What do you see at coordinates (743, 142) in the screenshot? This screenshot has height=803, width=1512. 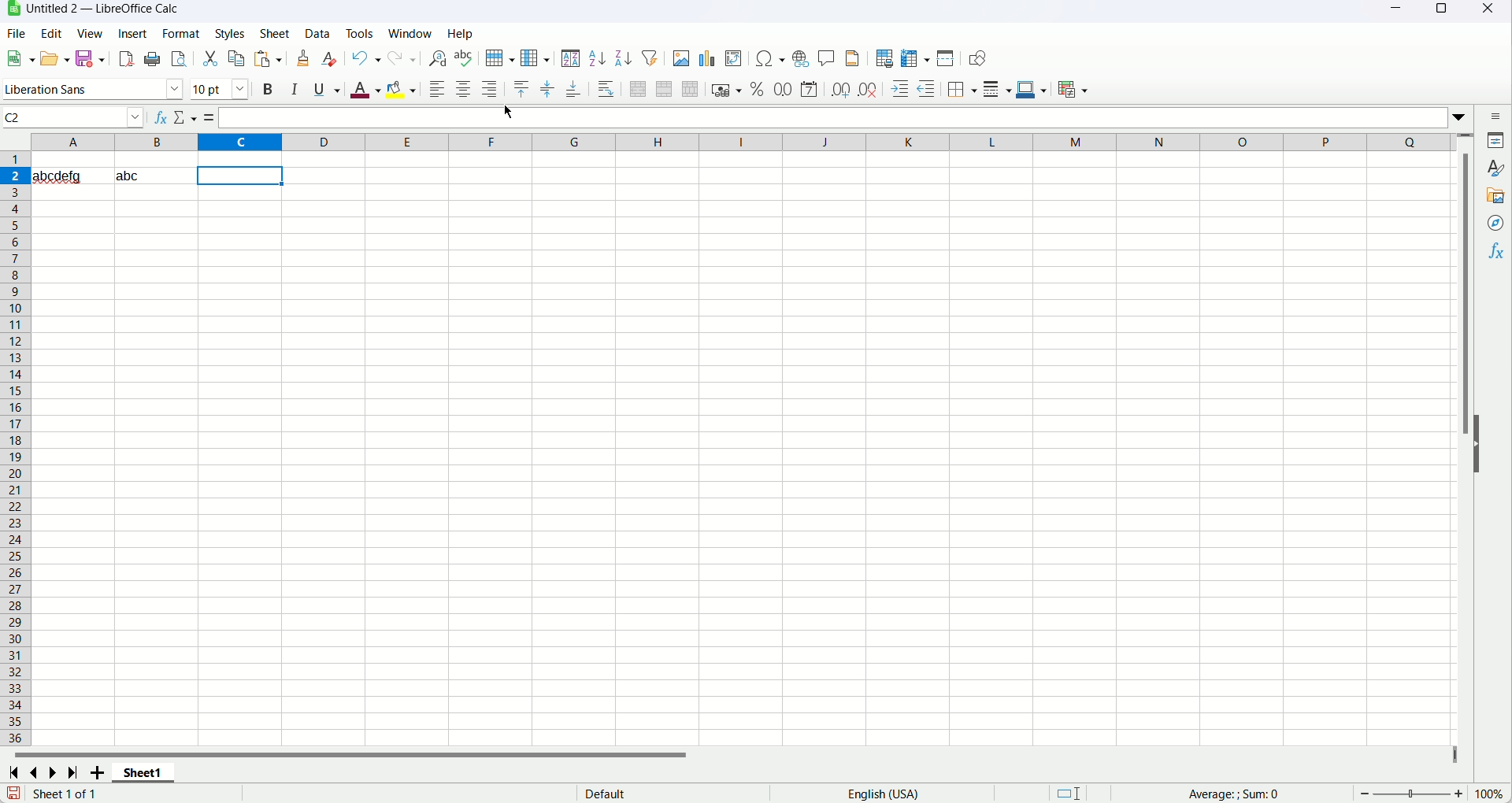 I see `column` at bounding box center [743, 142].